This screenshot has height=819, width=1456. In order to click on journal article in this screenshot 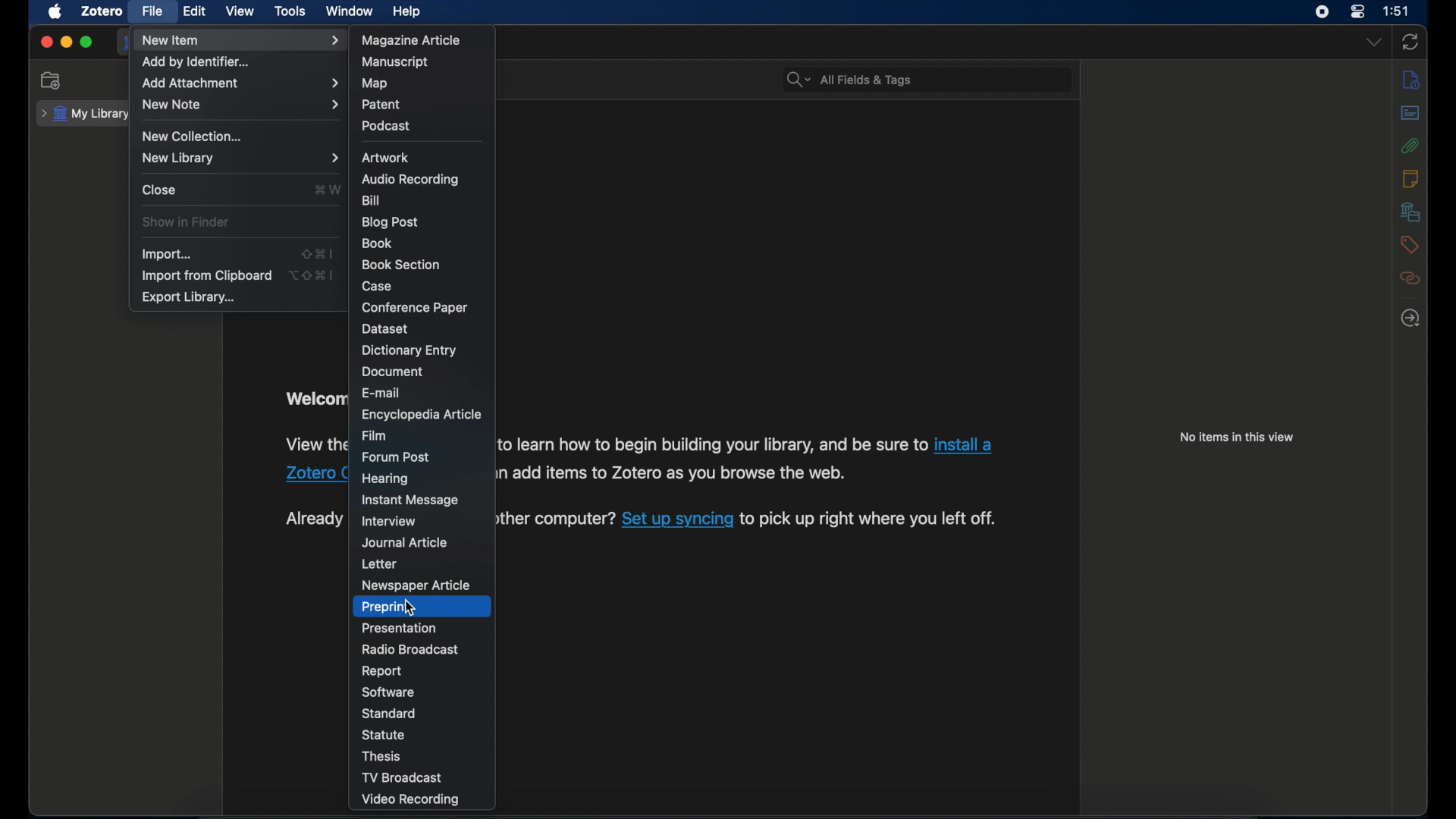, I will do `click(406, 542)`.